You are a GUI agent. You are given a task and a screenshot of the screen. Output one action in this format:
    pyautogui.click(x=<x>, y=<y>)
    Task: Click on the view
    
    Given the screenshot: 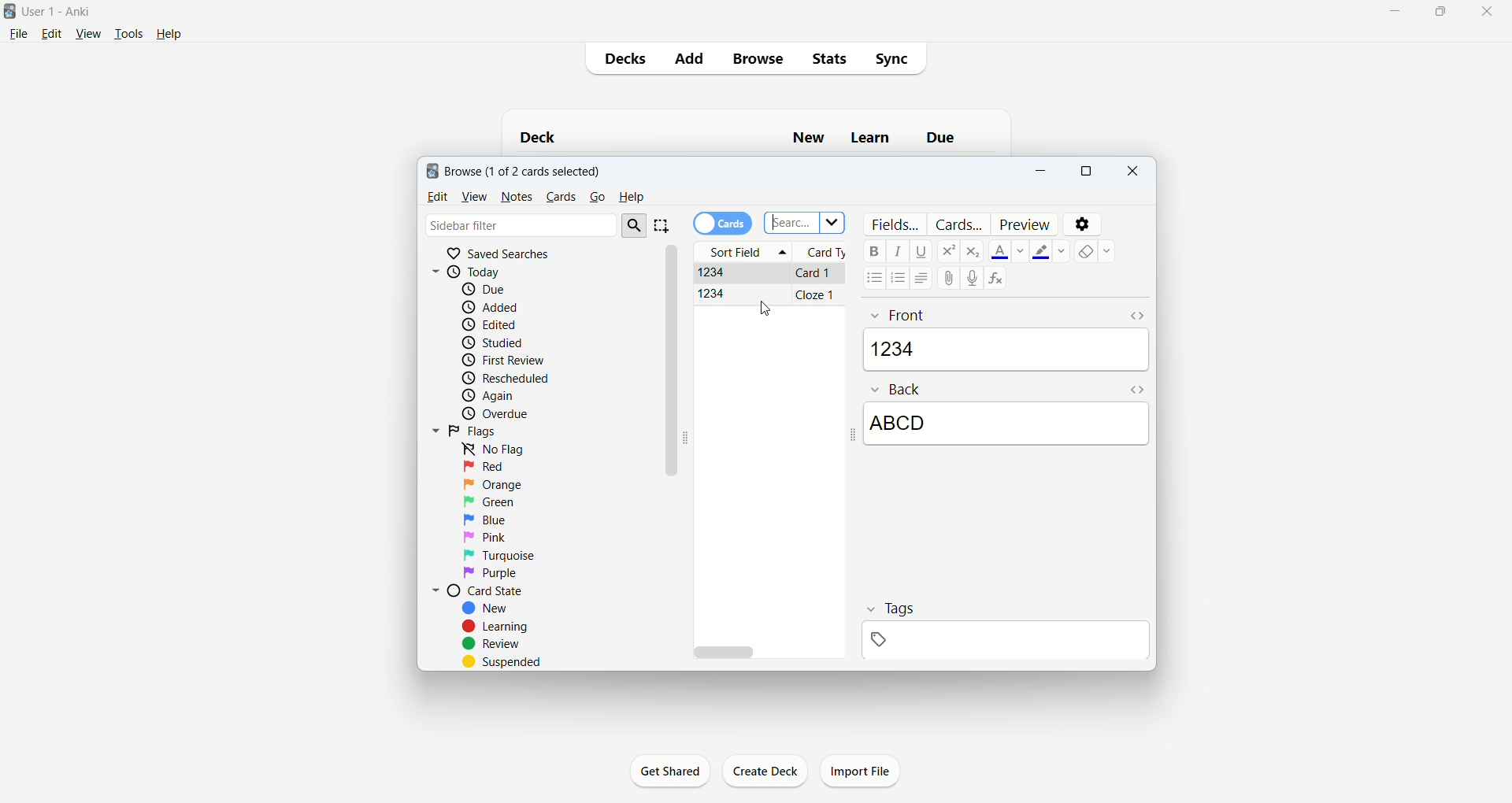 What is the action you would take?
    pyautogui.click(x=88, y=35)
    